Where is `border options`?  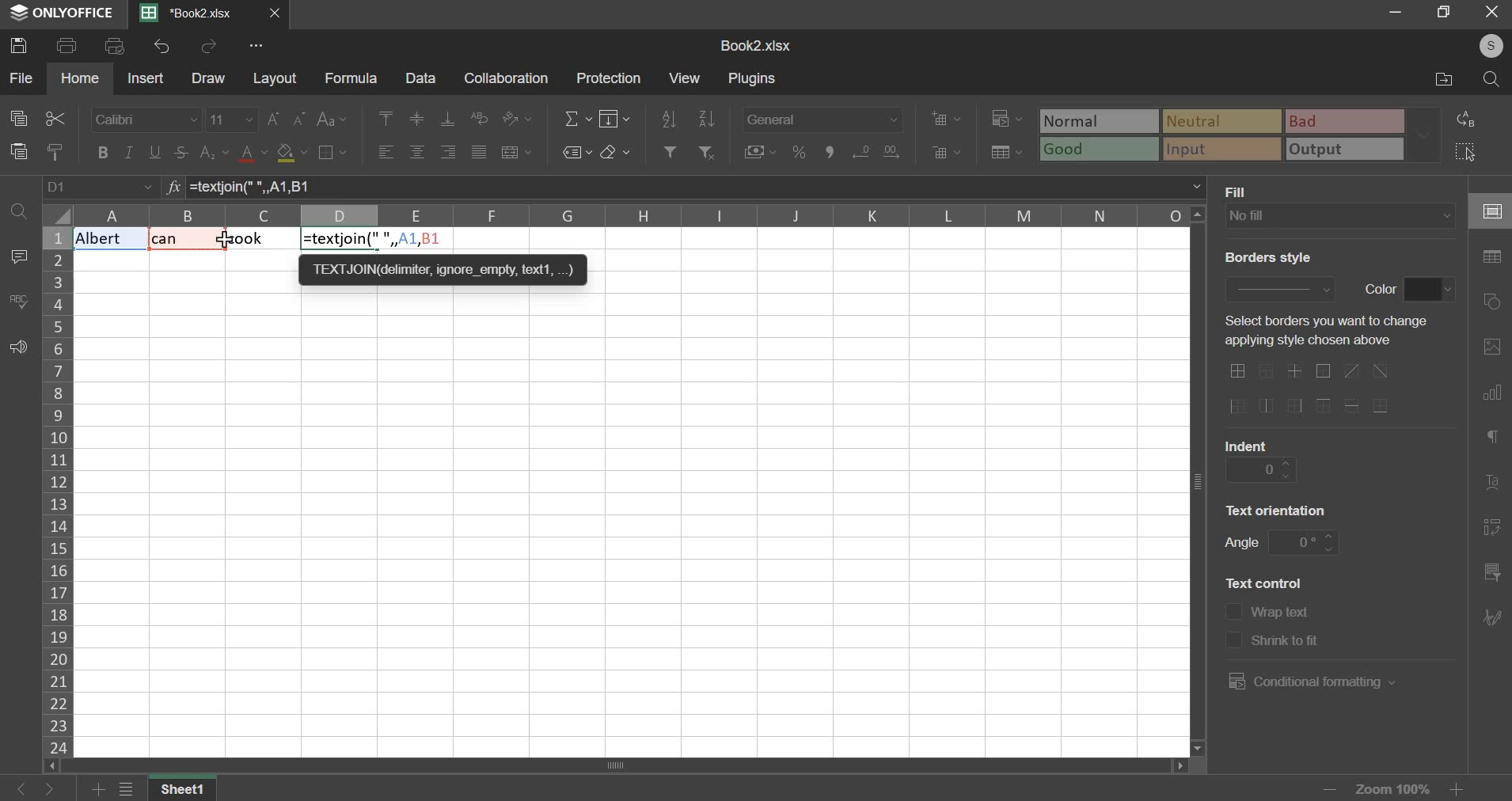 border options is located at coordinates (1316, 389).